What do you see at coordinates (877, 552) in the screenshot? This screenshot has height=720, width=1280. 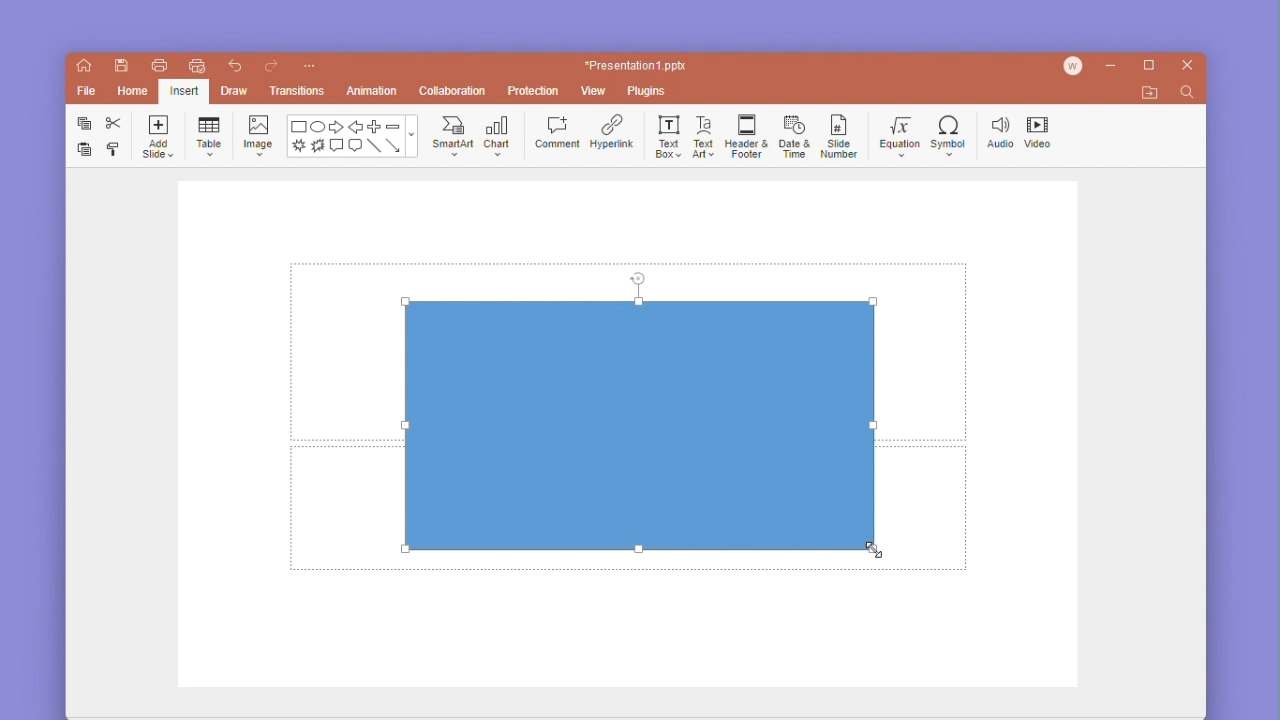 I see `cursor` at bounding box center [877, 552].